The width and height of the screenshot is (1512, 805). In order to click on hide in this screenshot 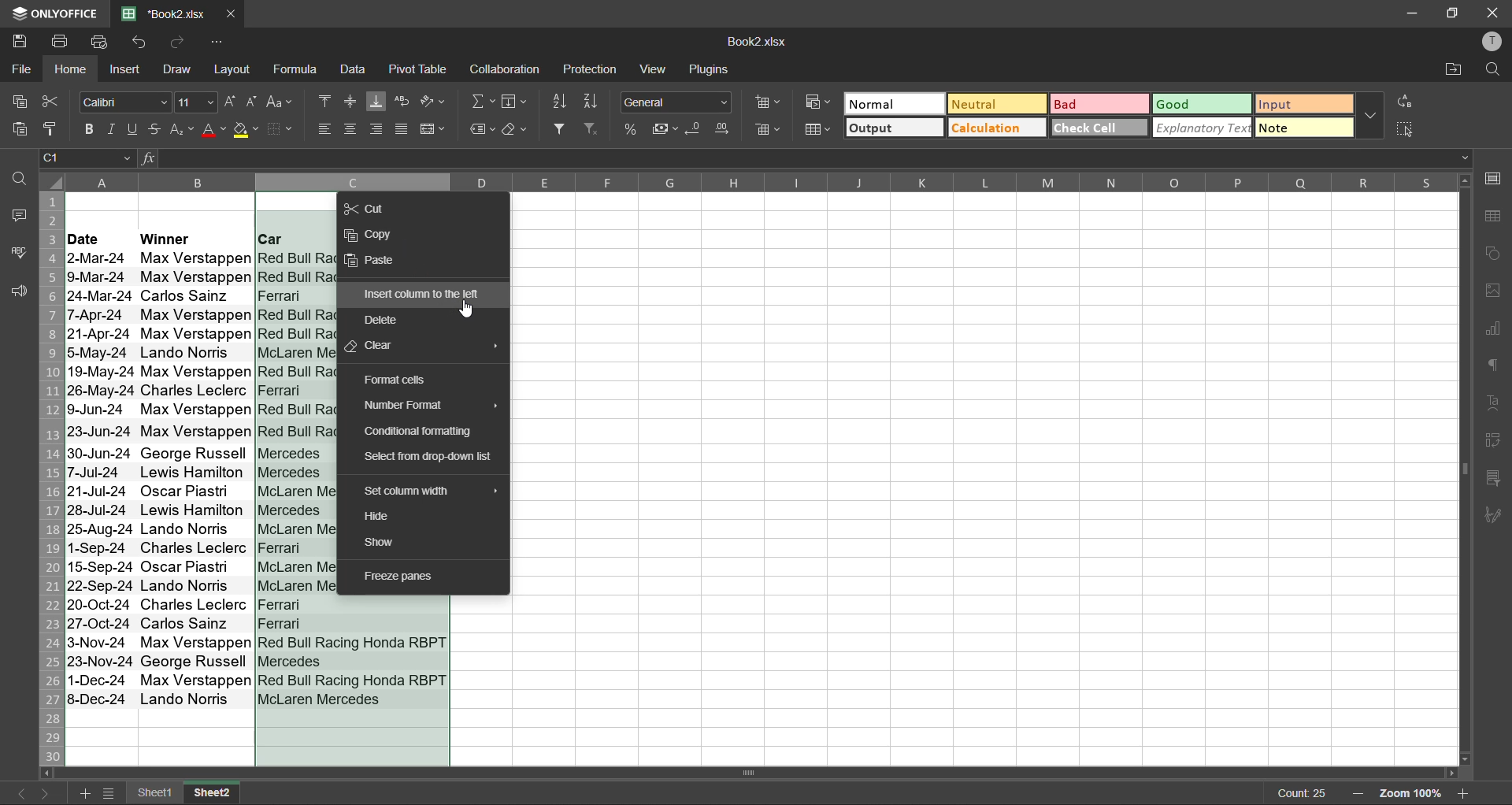, I will do `click(378, 517)`.